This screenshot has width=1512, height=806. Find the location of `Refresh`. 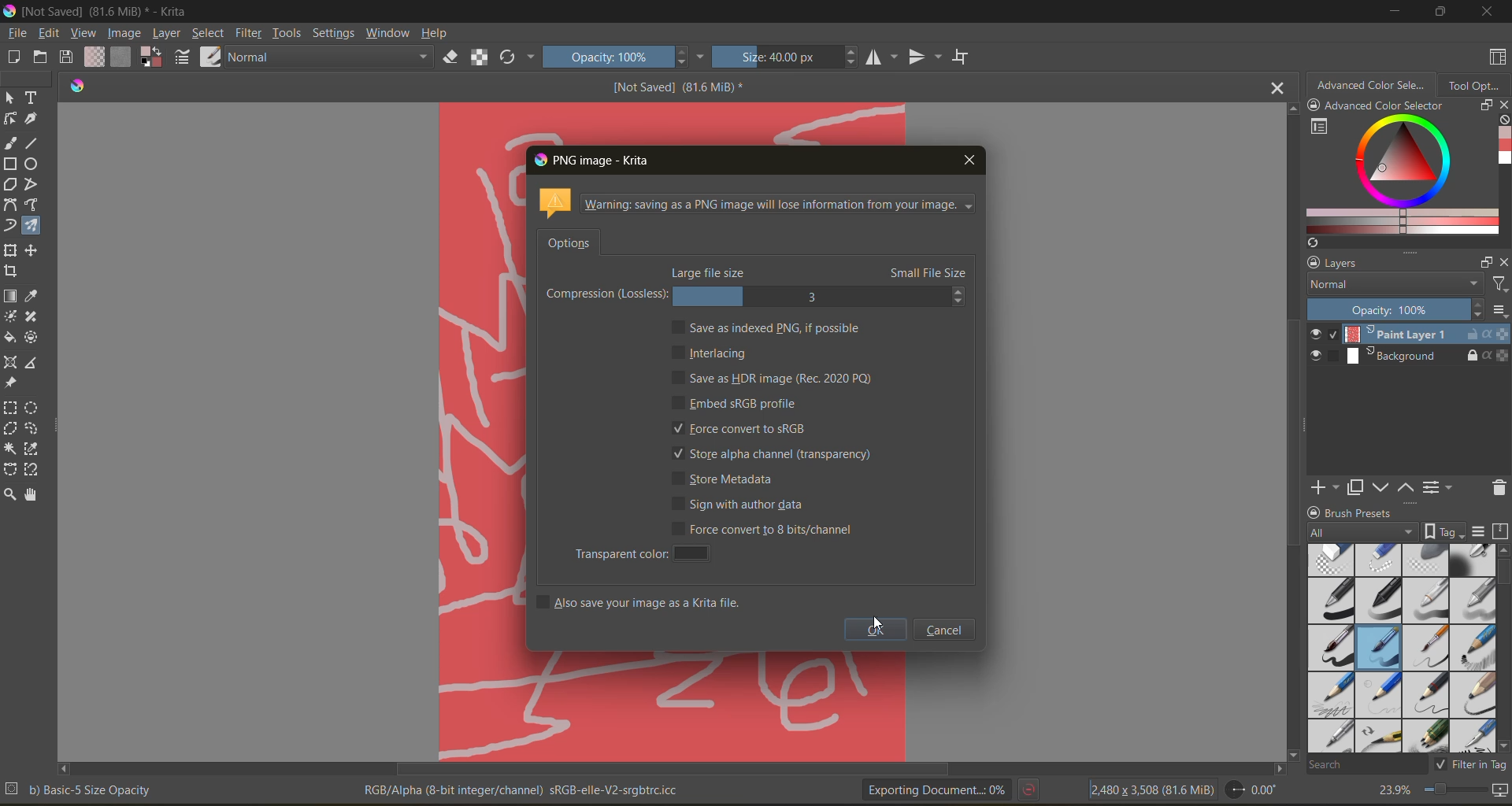

Refresh is located at coordinates (1310, 242).